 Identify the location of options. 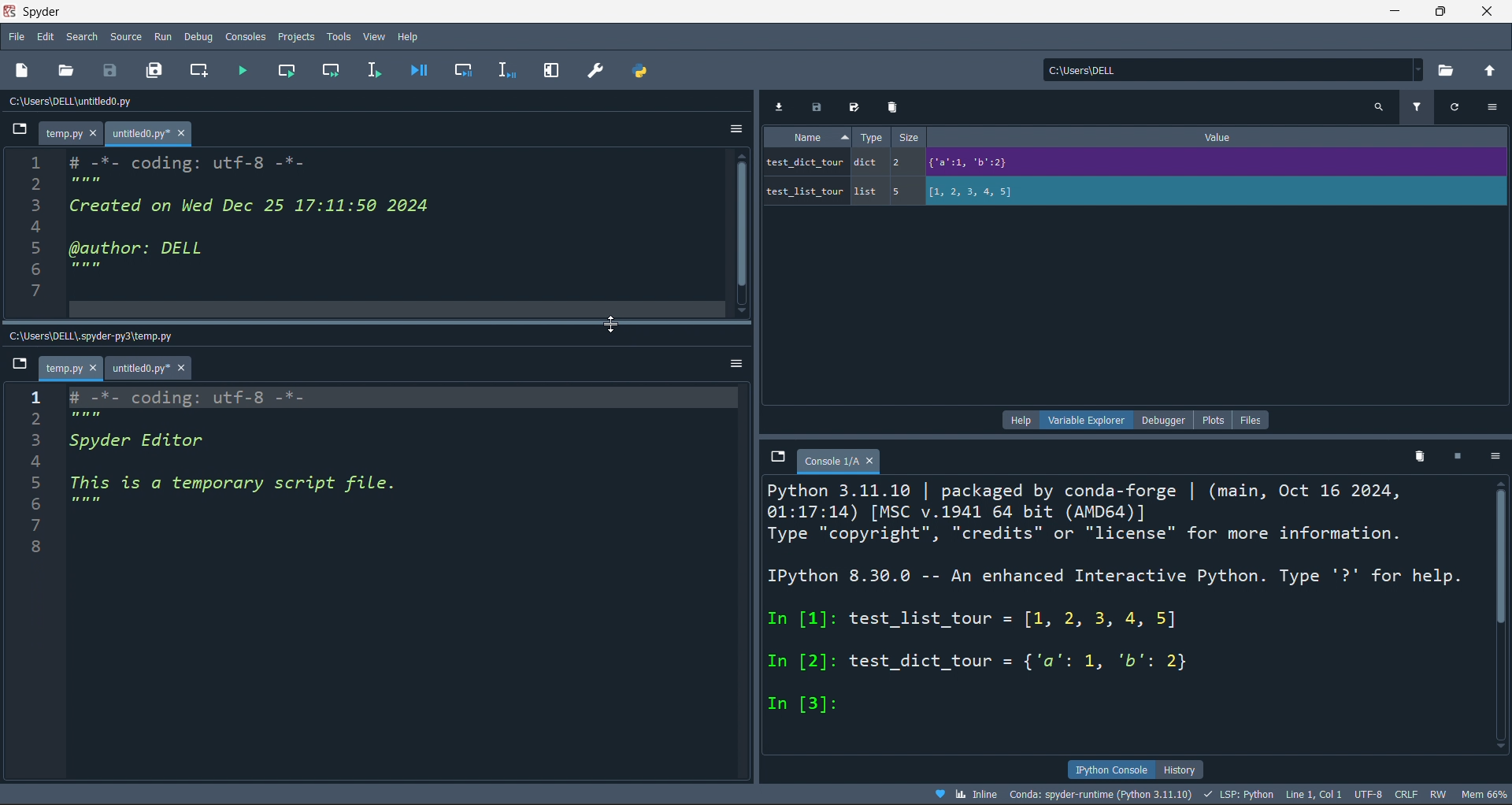
(1495, 457).